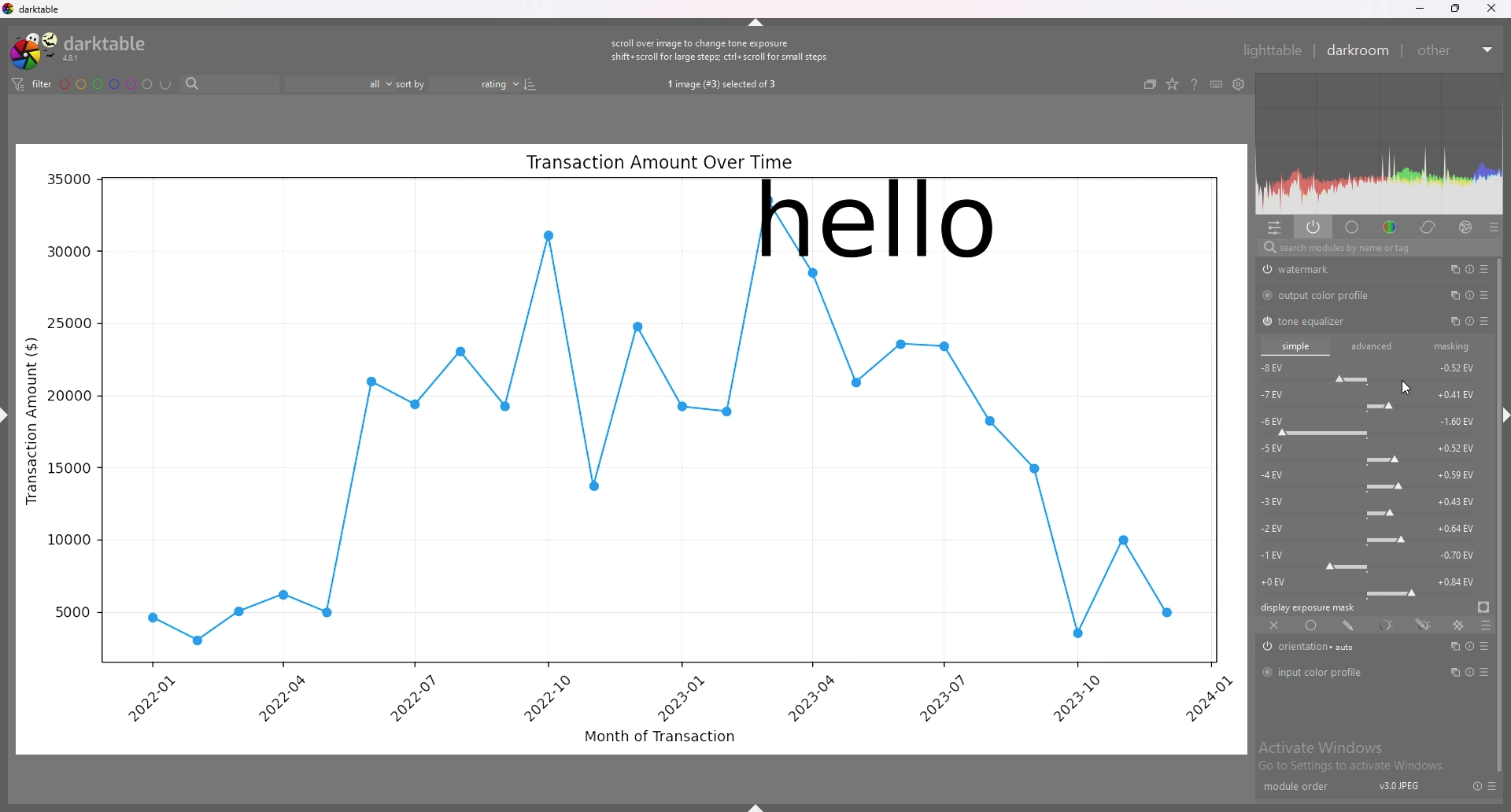  I want to click on darktable logo, so click(84, 50).